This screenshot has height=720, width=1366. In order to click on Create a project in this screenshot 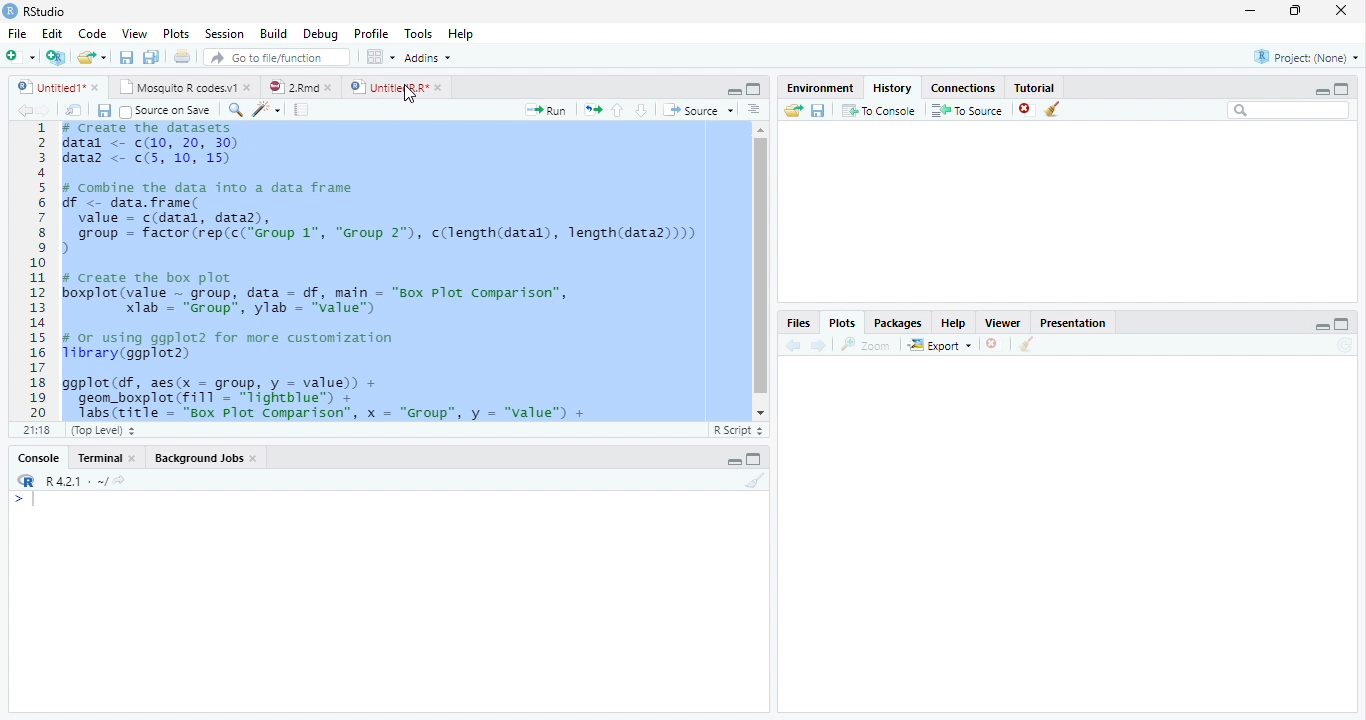, I will do `click(57, 56)`.